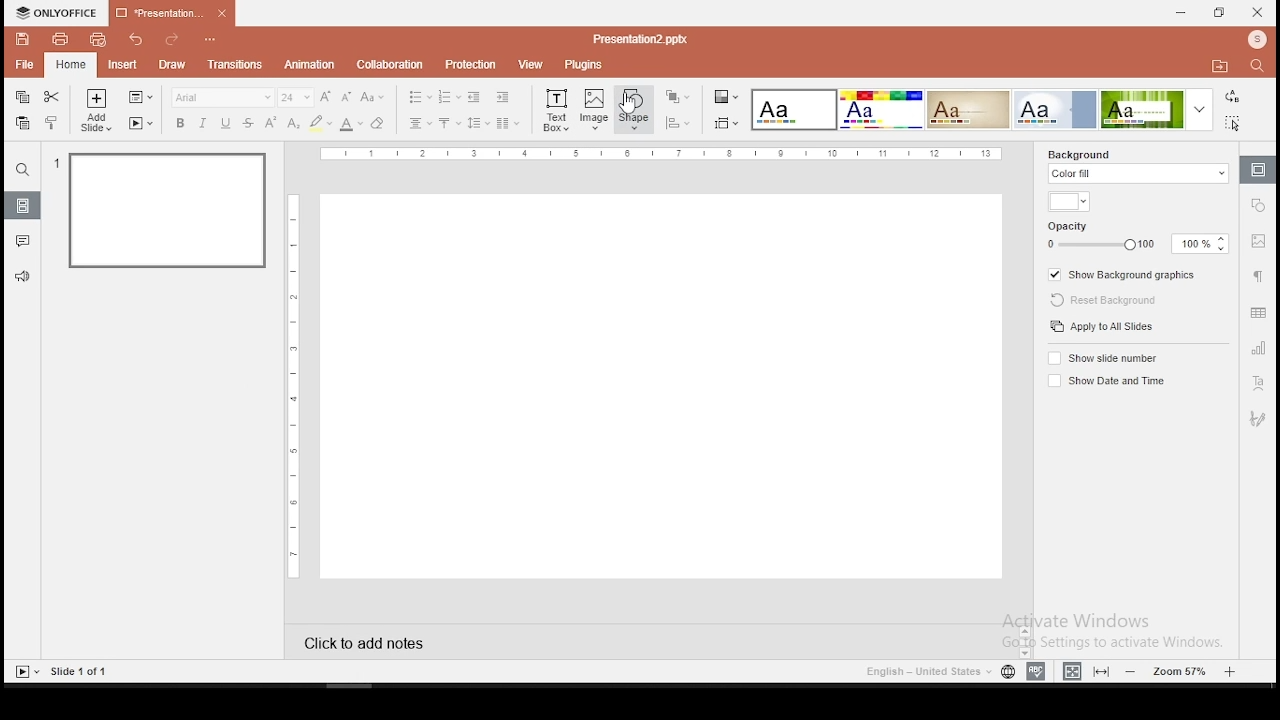 The image size is (1280, 720). Describe the element at coordinates (1256, 347) in the screenshot. I see `chart settings` at that location.